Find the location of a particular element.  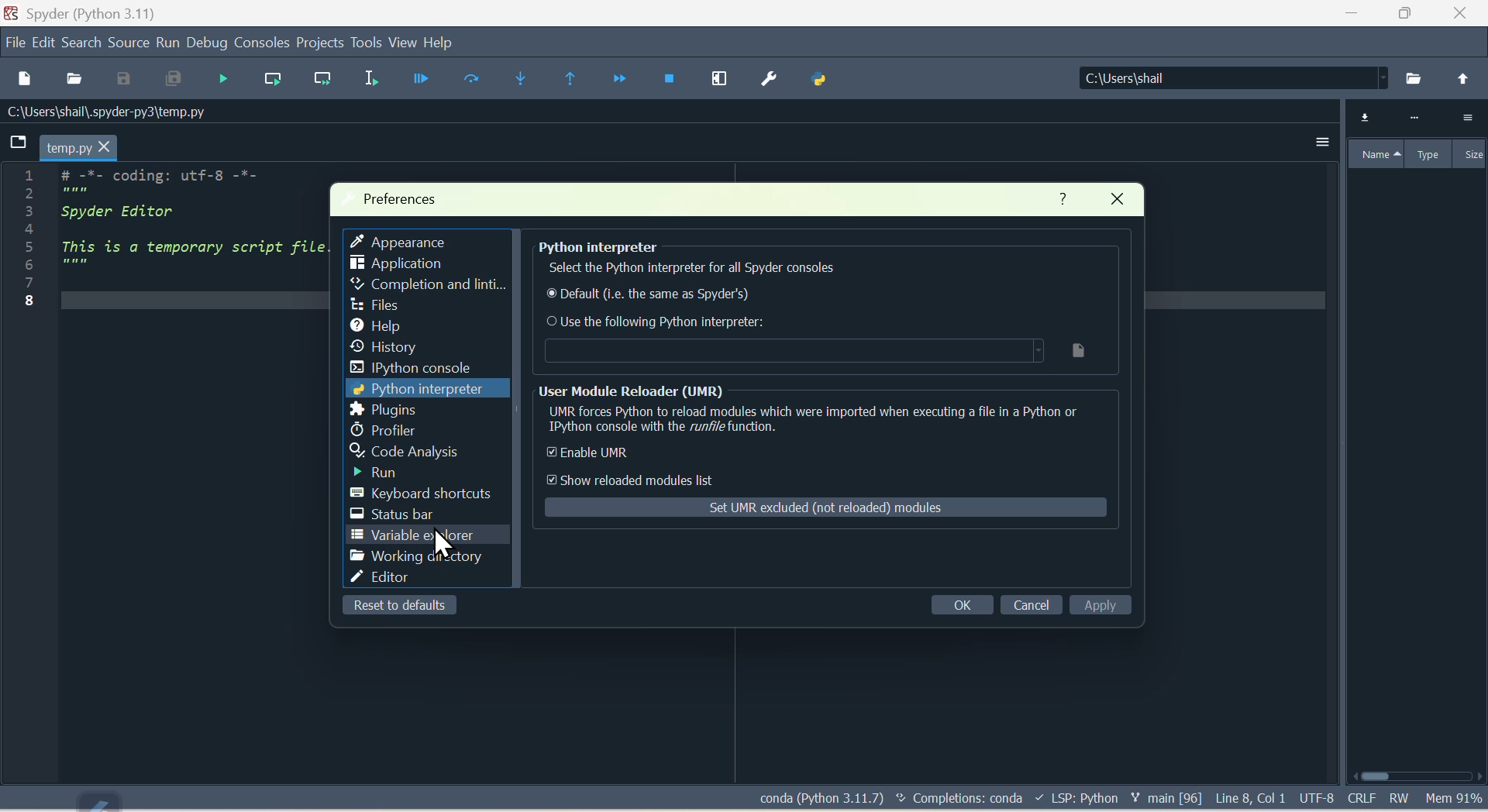

Profiler is located at coordinates (389, 431).